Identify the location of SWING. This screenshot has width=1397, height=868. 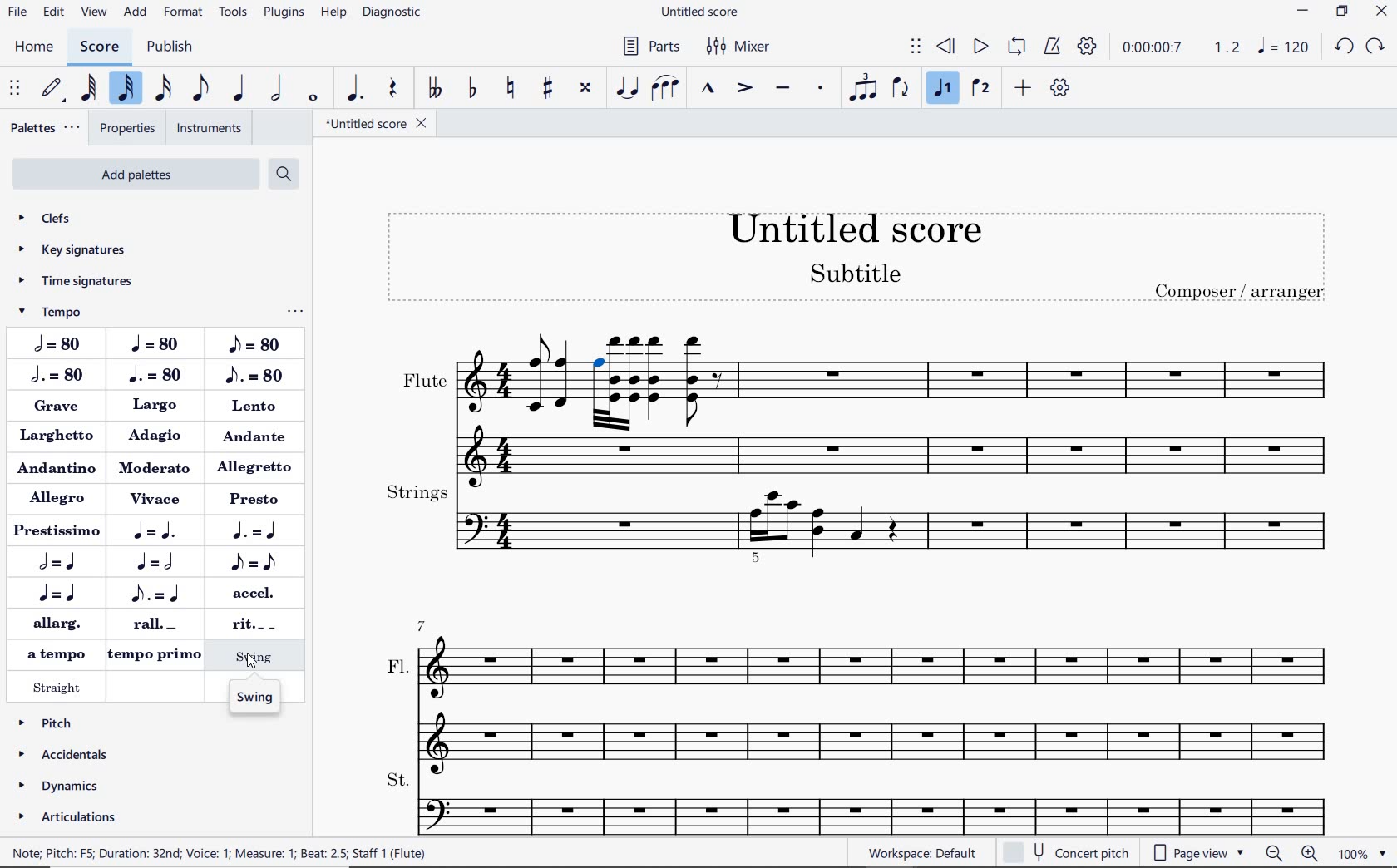
(255, 699).